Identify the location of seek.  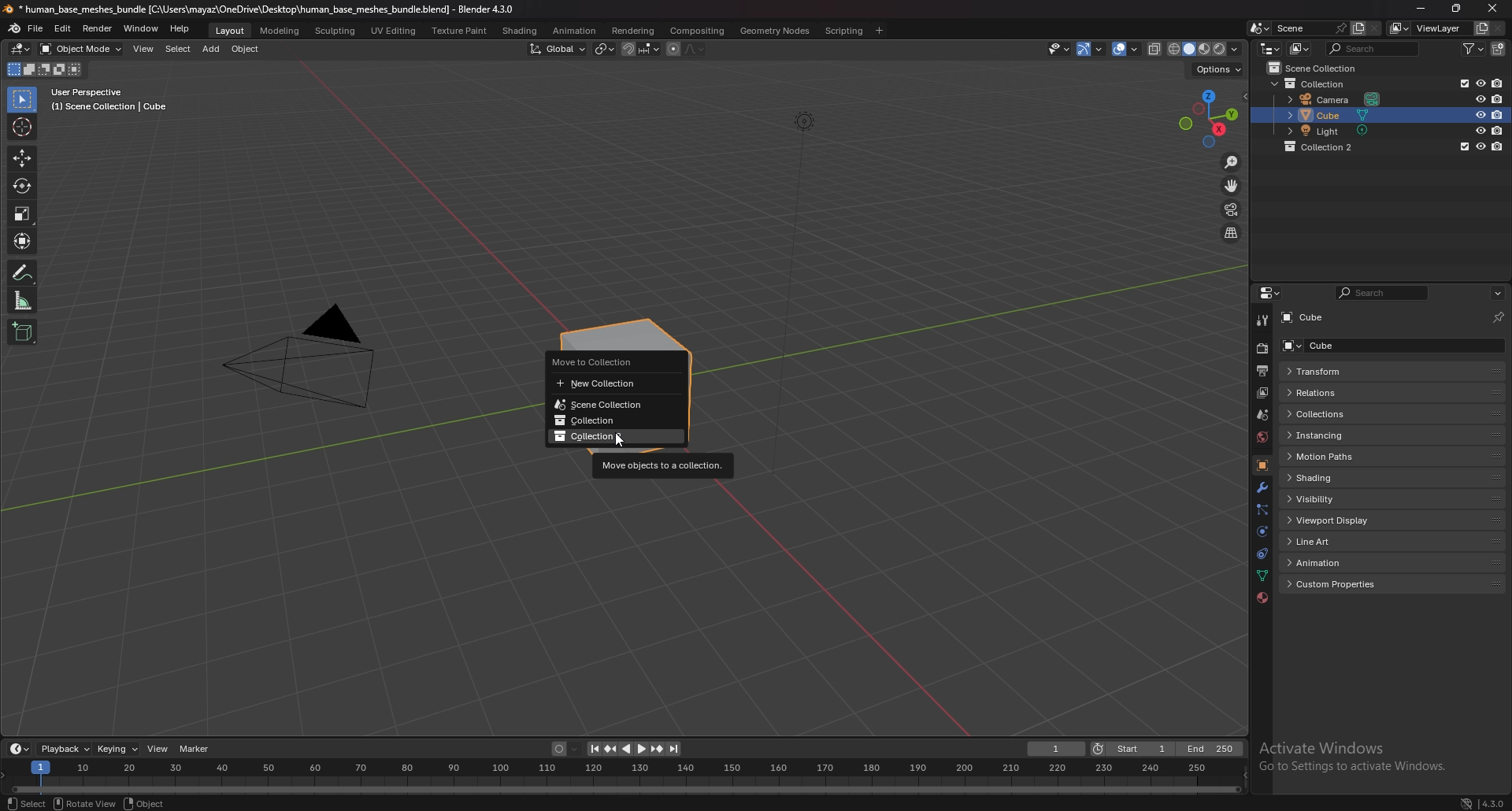
(624, 777).